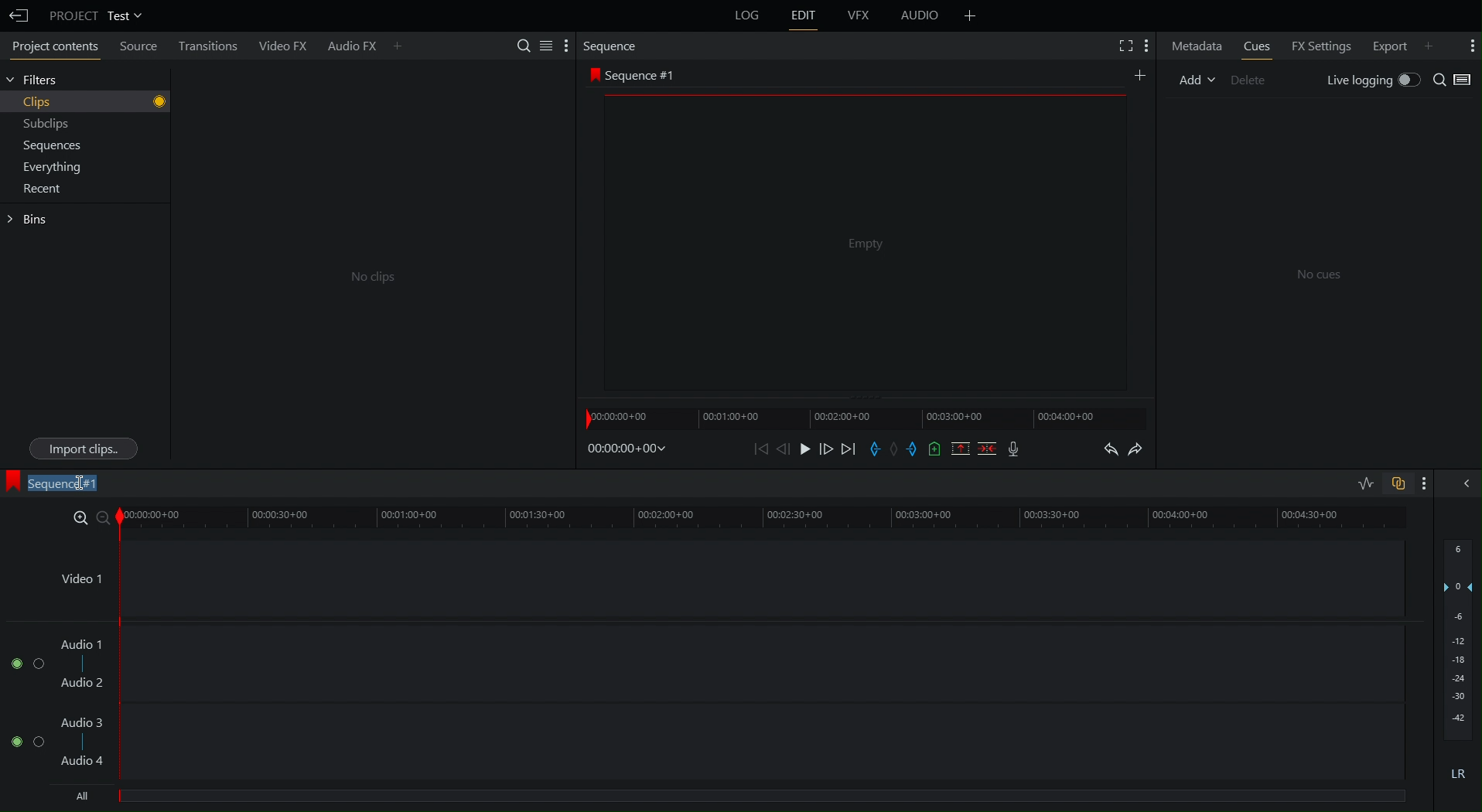 Image resolution: width=1482 pixels, height=812 pixels. Describe the element at coordinates (919, 16) in the screenshot. I see `Audio` at that location.